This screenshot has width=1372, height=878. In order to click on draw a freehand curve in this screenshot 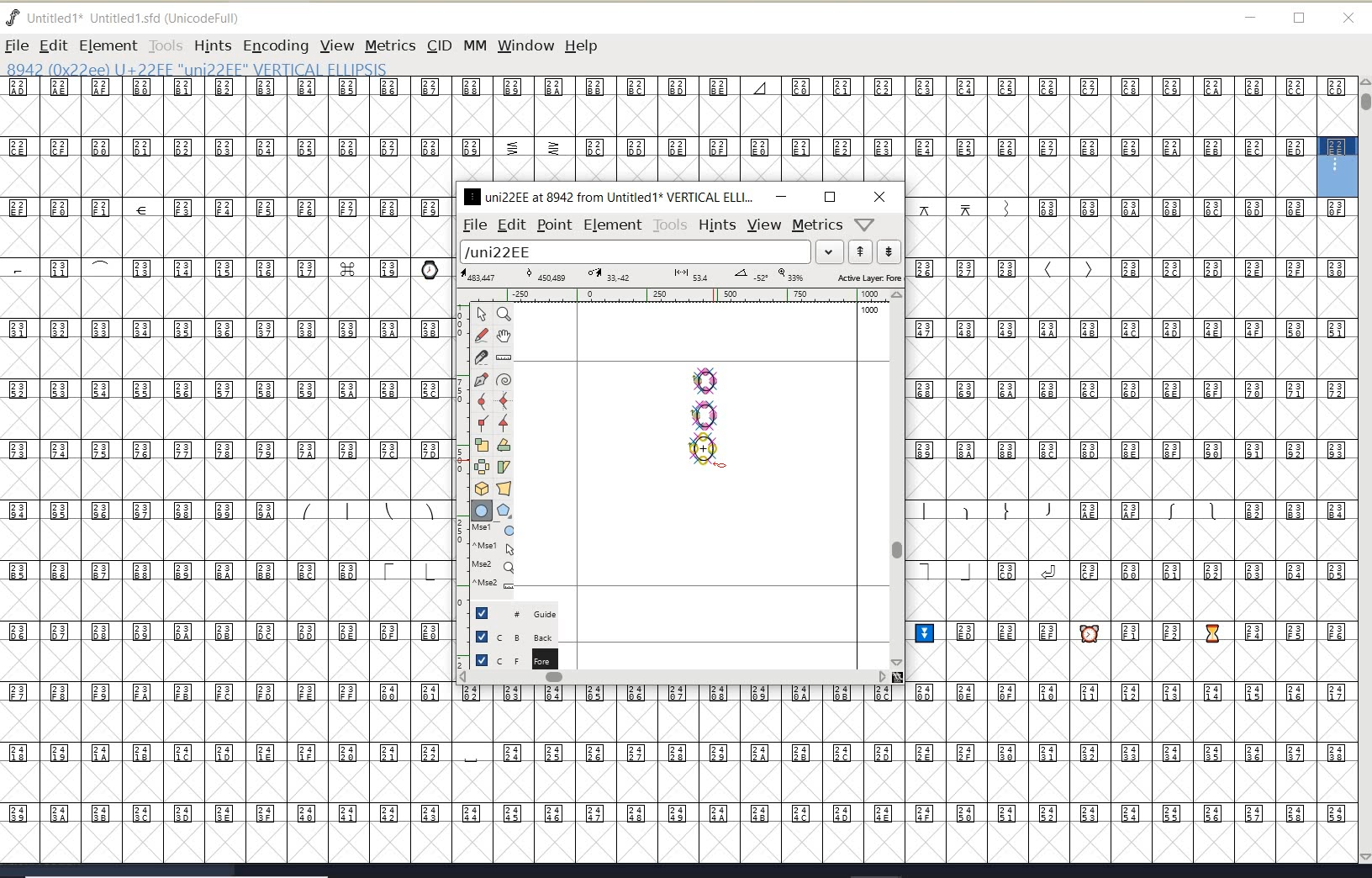, I will do `click(483, 335)`.